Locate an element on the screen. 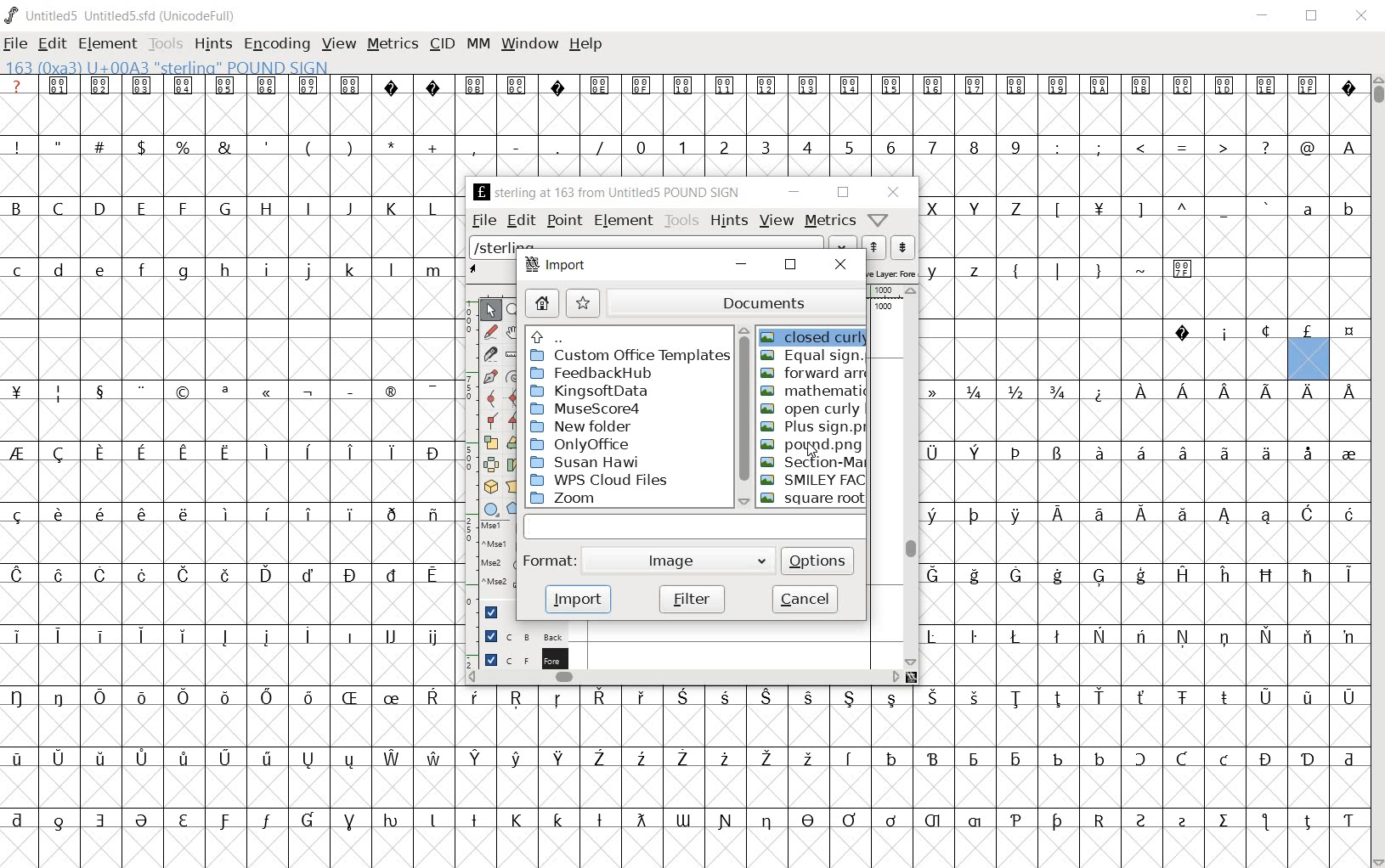  K is located at coordinates (391, 208).